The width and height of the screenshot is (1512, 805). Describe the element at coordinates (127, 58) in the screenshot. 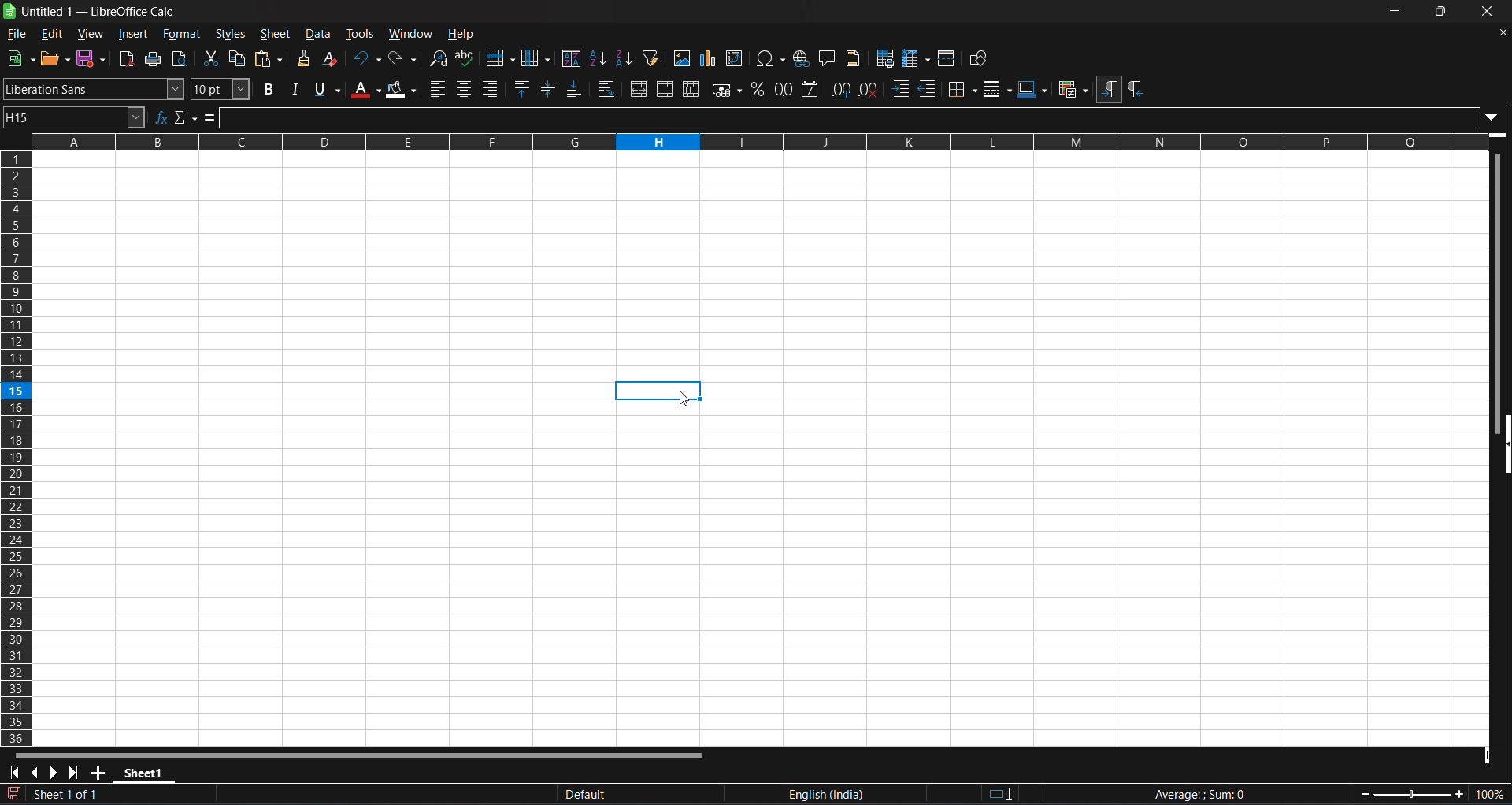

I see `export directly as pdf` at that location.